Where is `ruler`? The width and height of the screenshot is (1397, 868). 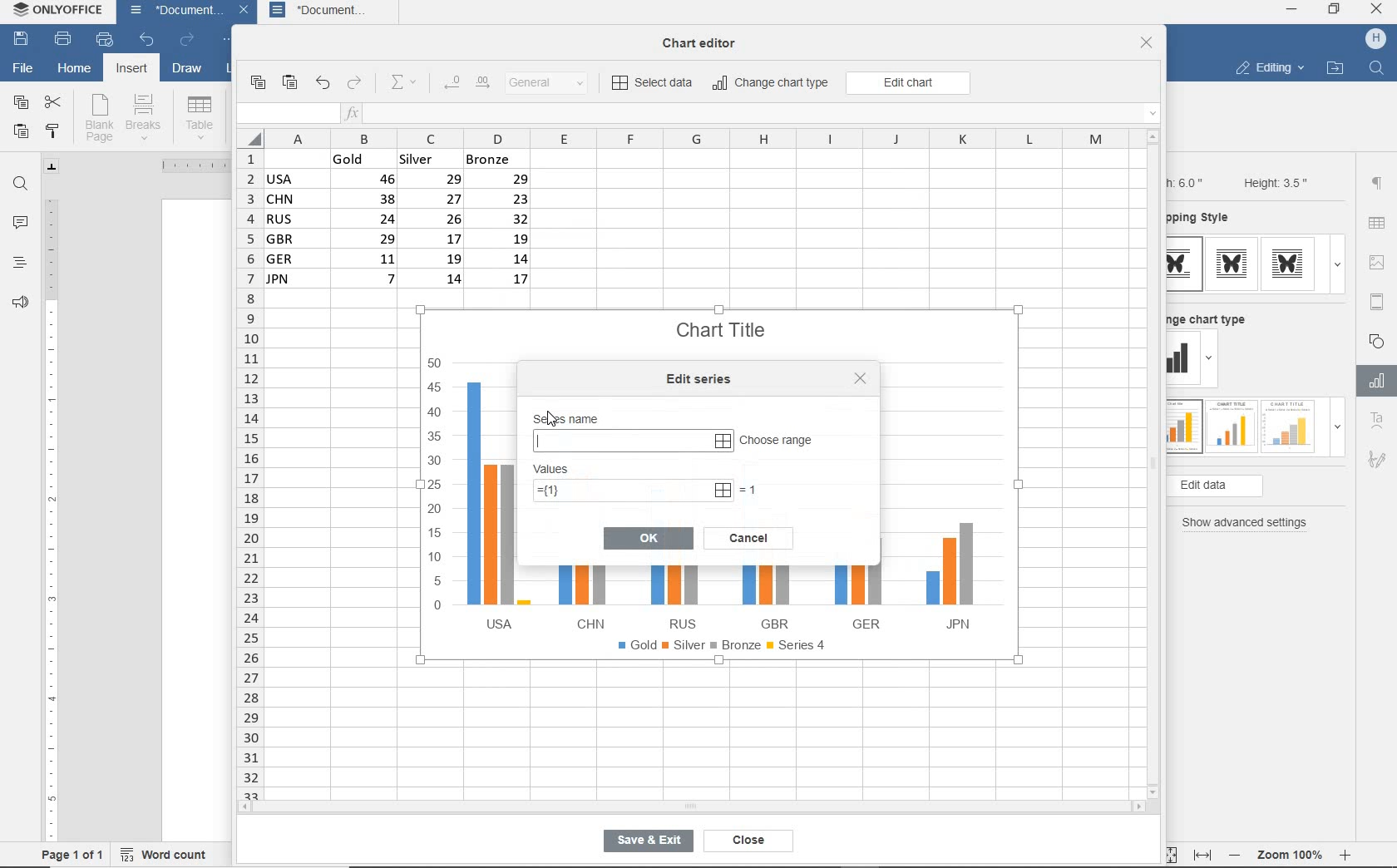
ruler is located at coordinates (51, 513).